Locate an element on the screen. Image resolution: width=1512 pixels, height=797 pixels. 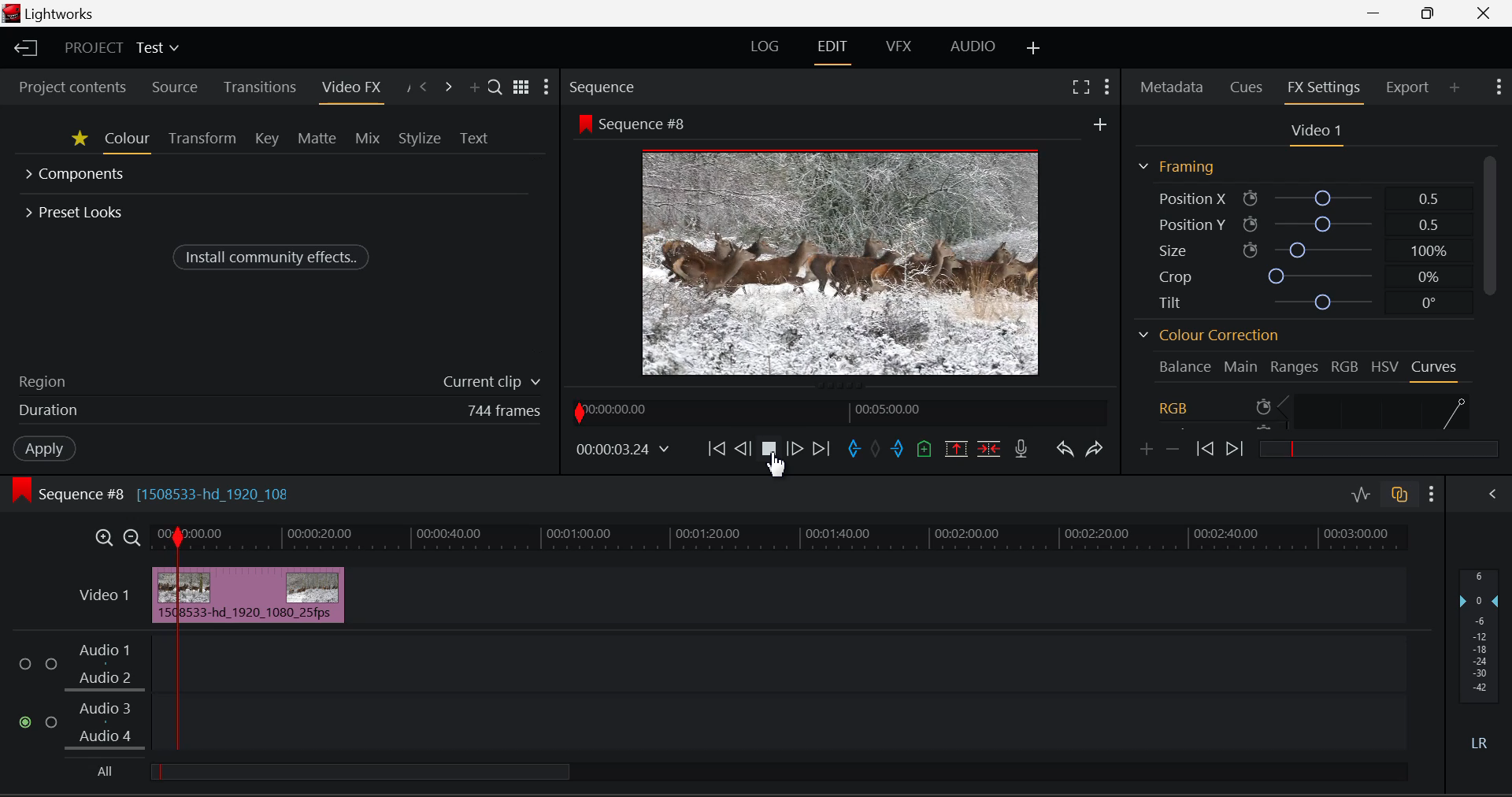
Timeline Zoom In is located at coordinates (103, 539).